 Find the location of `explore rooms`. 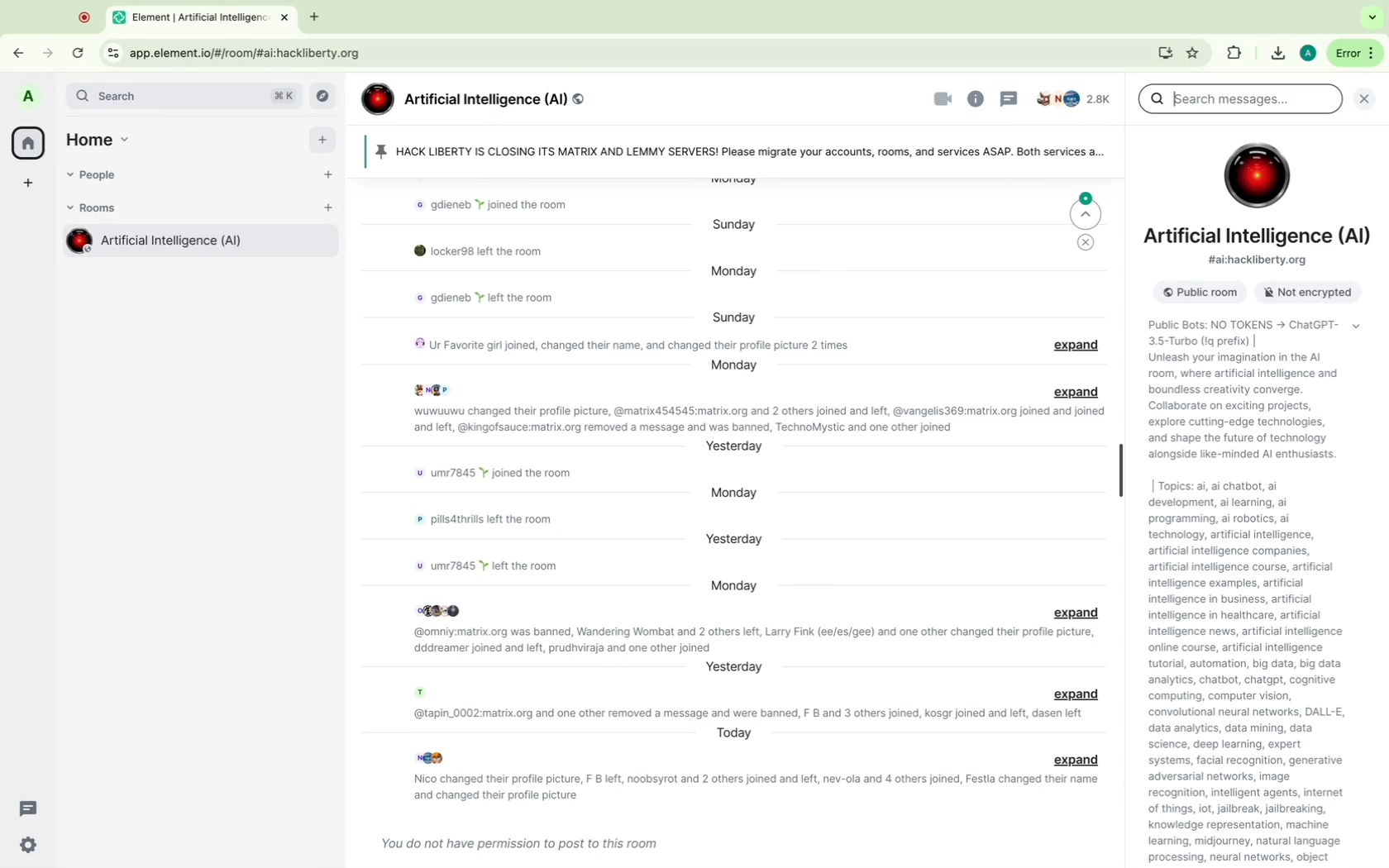

explore rooms is located at coordinates (326, 97).